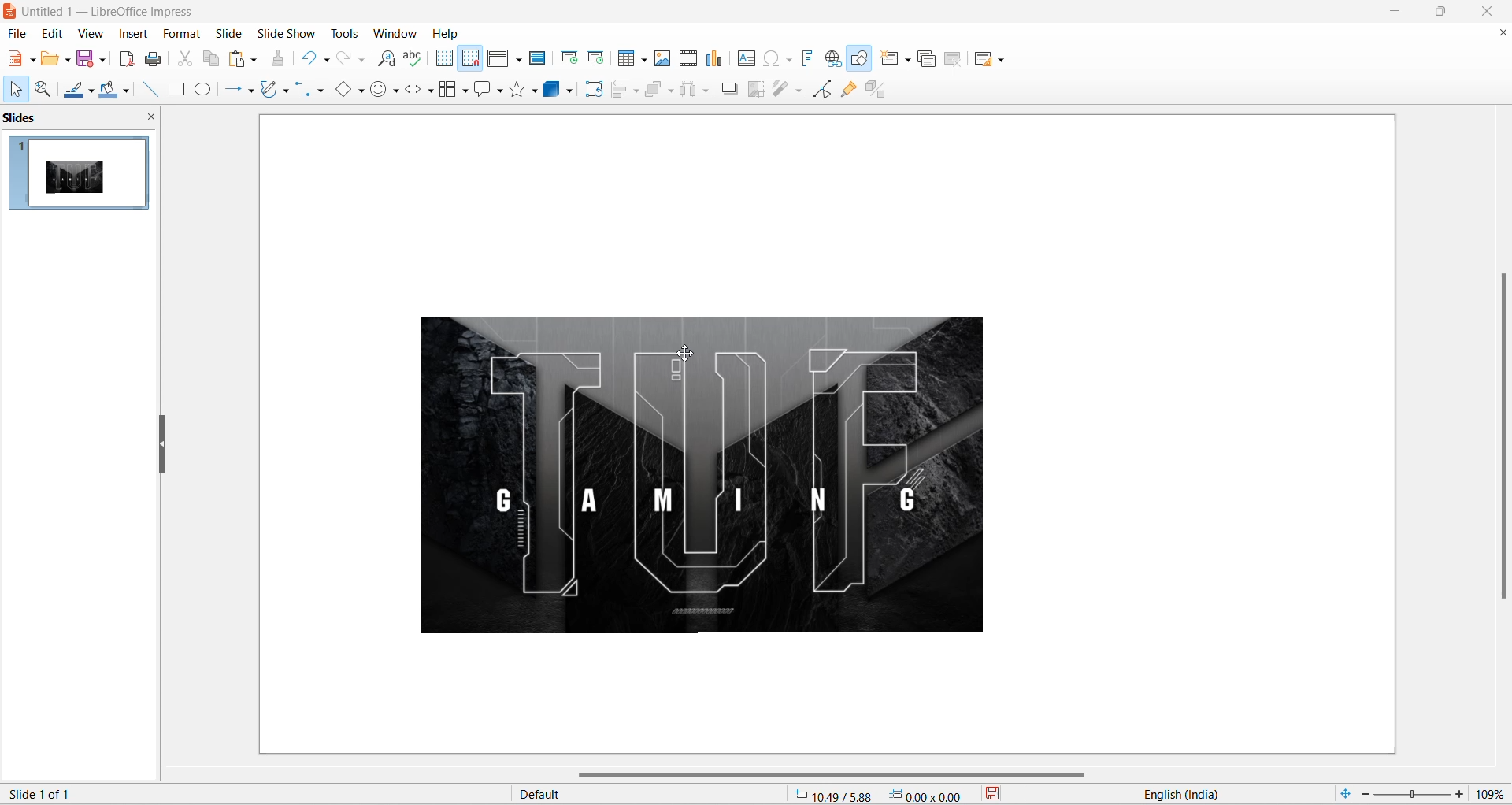  What do you see at coordinates (1003, 796) in the screenshot?
I see `save` at bounding box center [1003, 796].